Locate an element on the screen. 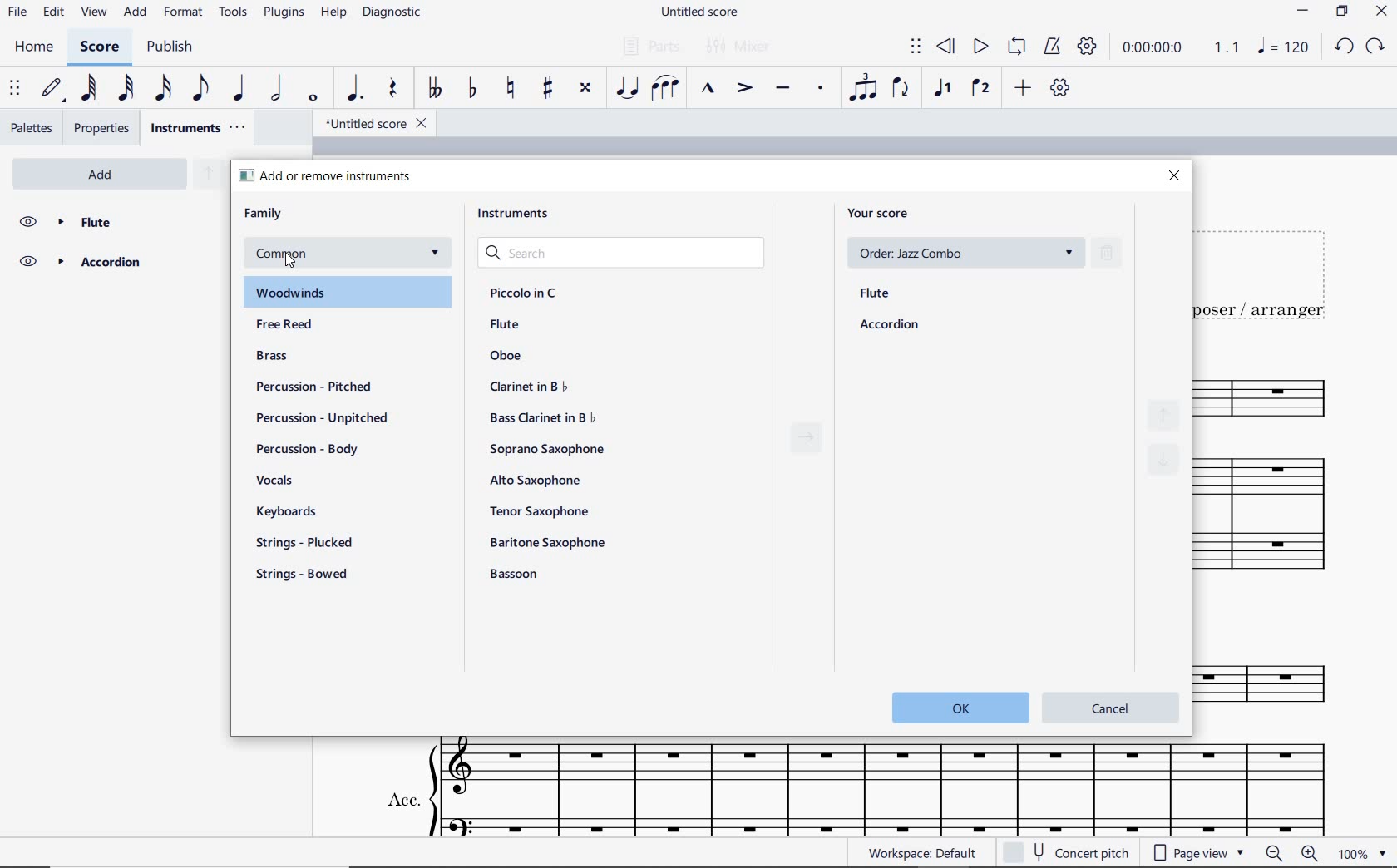 The image size is (1397, 868). toggle double-sharp is located at coordinates (585, 91).